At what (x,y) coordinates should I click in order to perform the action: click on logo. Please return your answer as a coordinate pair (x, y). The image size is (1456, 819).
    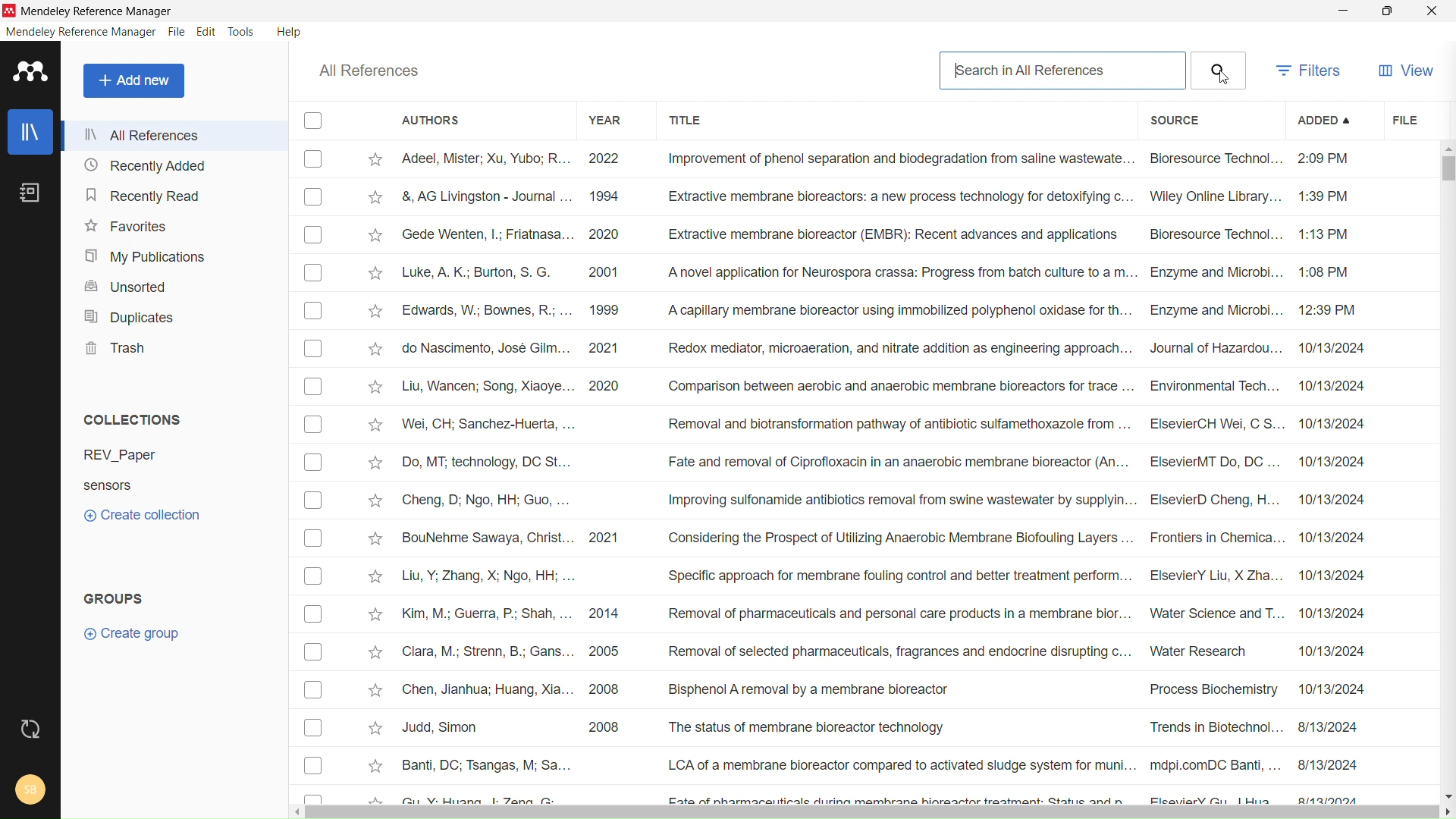
    Looking at the image, I should click on (31, 71).